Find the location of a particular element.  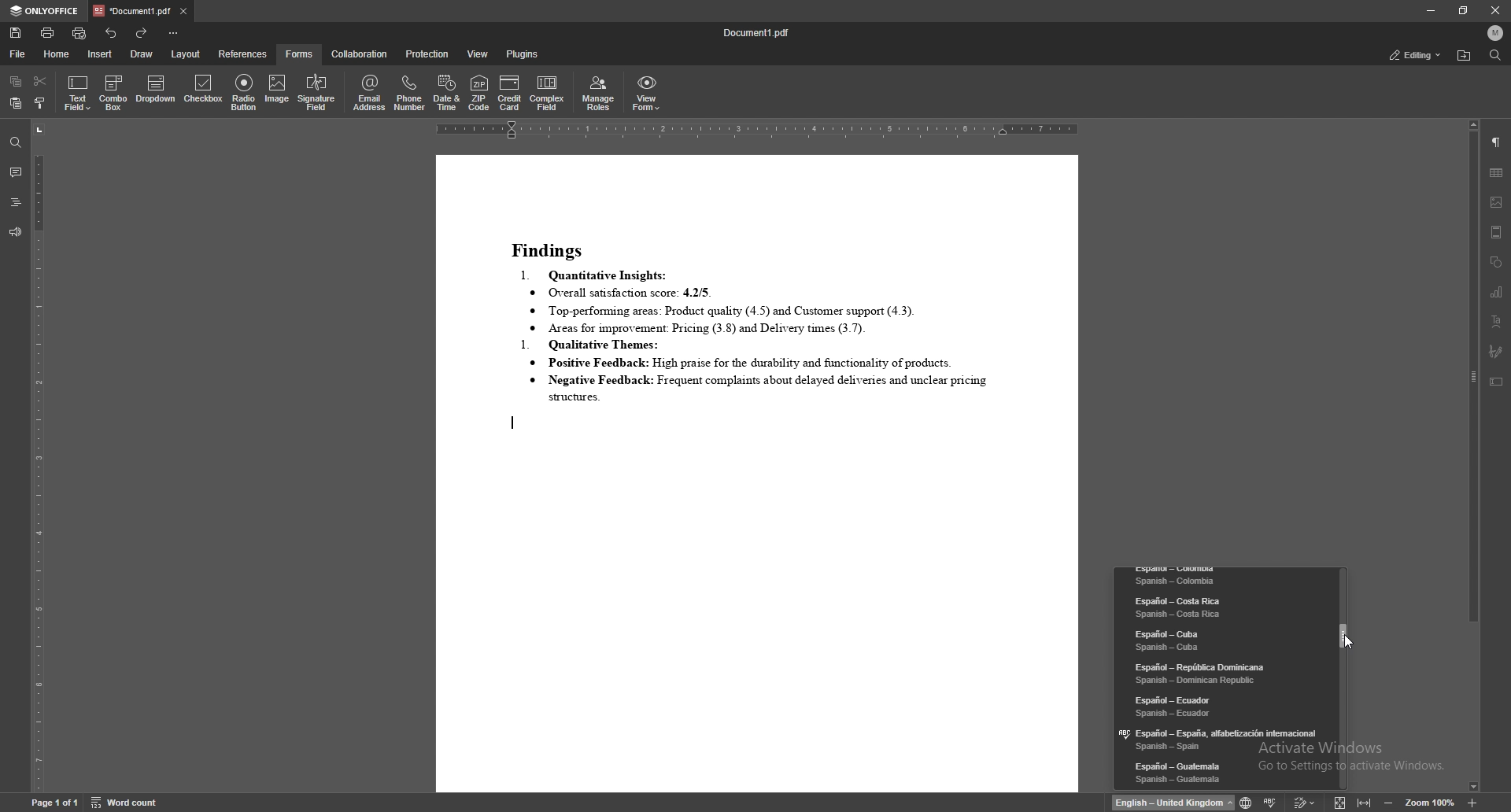

fit to width is located at coordinates (1365, 803).